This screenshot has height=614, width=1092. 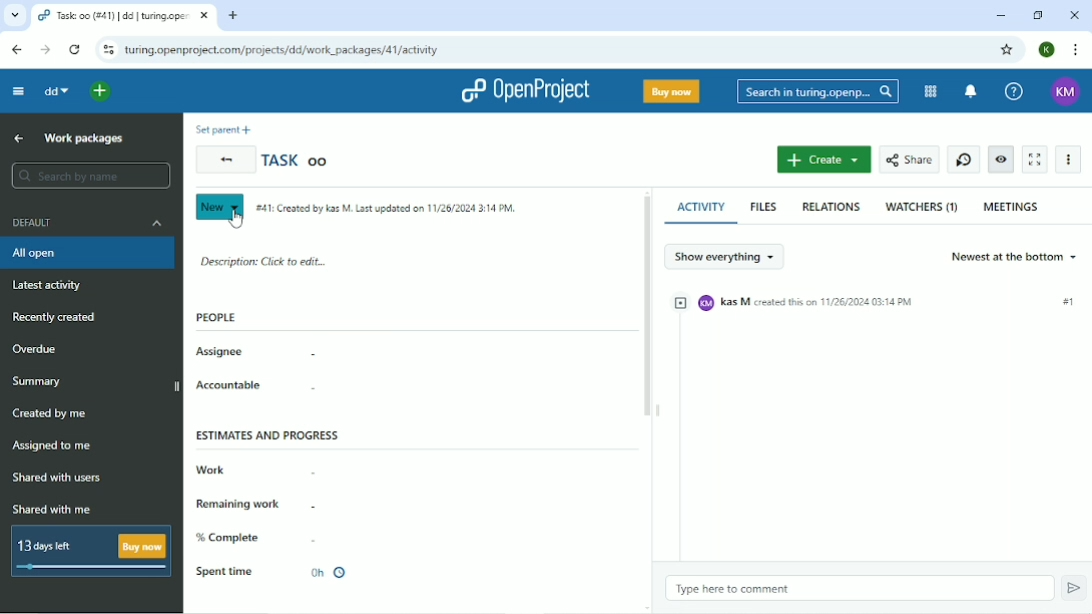 I want to click on Recently created, so click(x=60, y=318).